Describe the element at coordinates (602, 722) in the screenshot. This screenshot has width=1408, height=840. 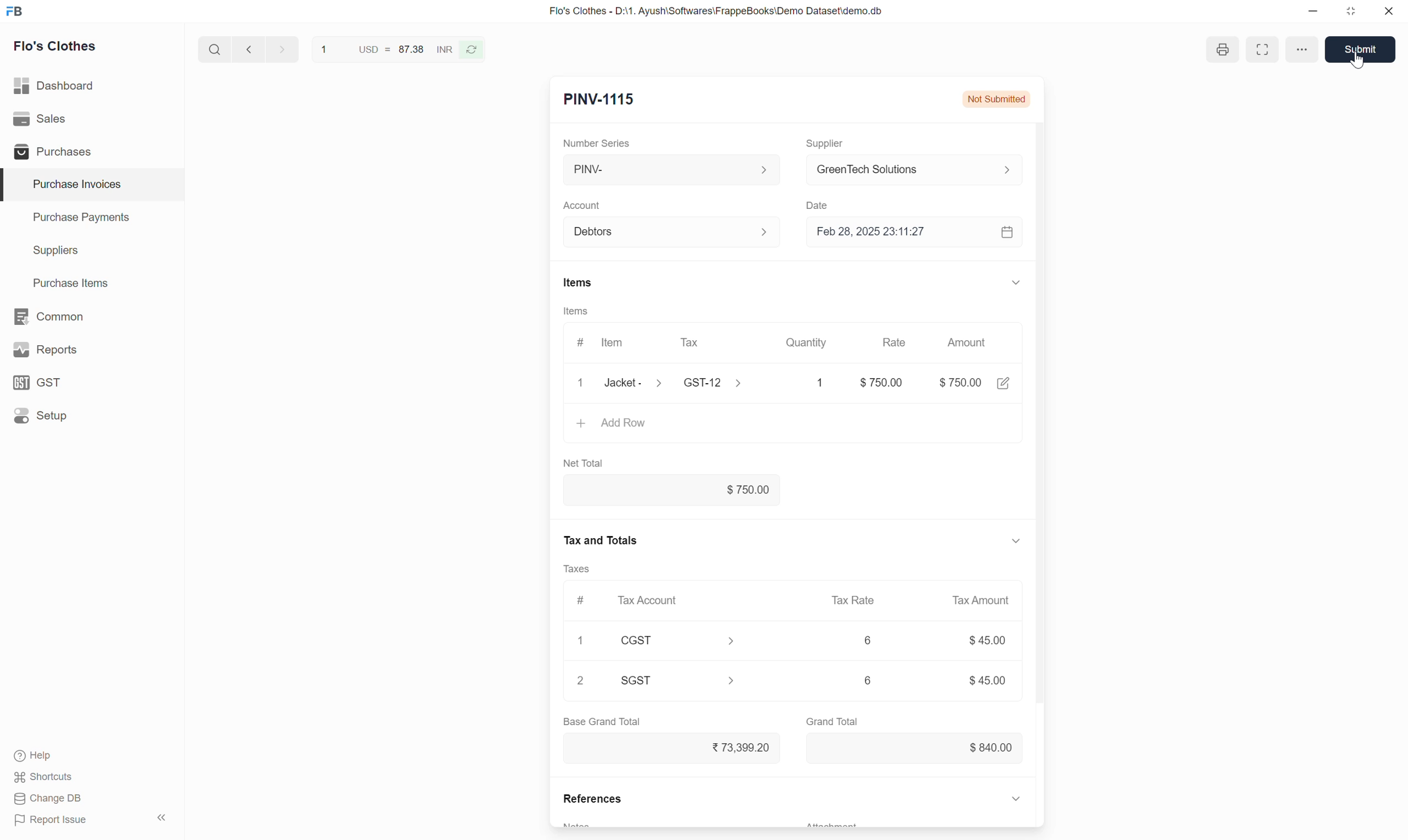
I see `Base Grand Total` at that location.